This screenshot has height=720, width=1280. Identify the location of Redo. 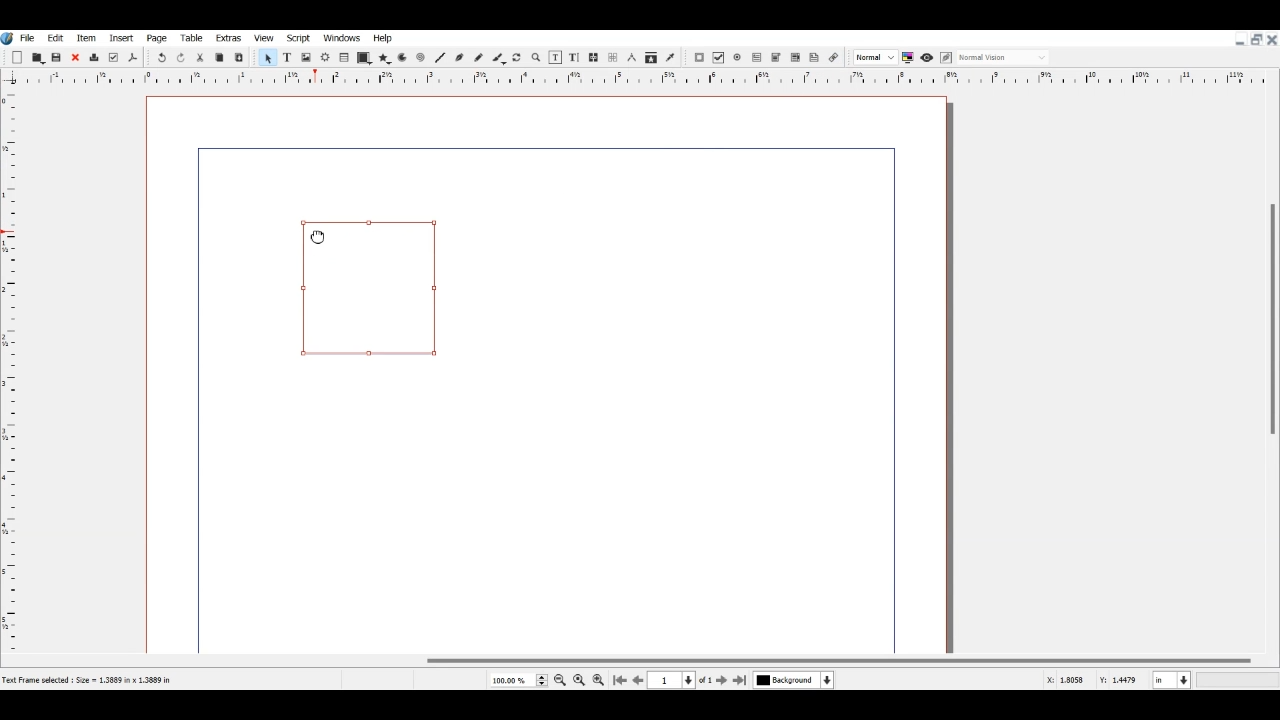
(182, 58).